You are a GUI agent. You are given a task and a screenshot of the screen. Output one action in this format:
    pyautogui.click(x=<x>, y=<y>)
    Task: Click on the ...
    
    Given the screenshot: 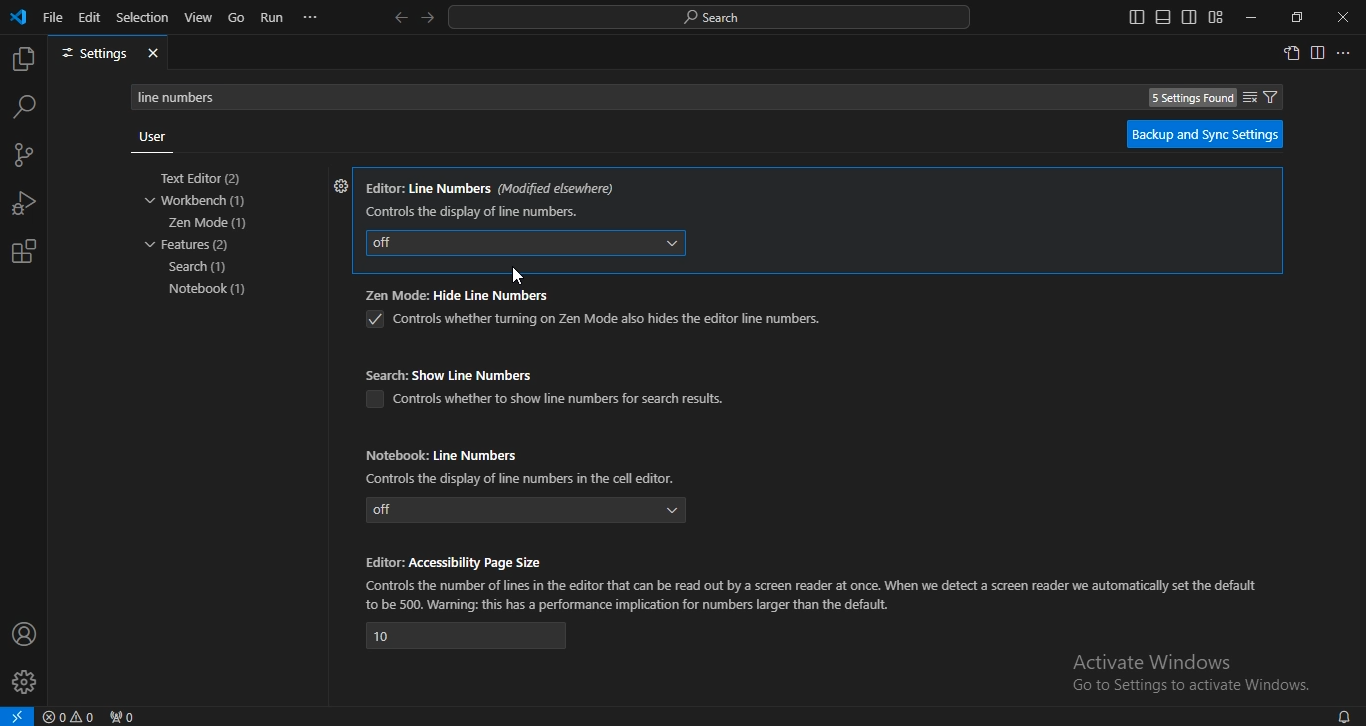 What is the action you would take?
    pyautogui.click(x=1345, y=54)
    